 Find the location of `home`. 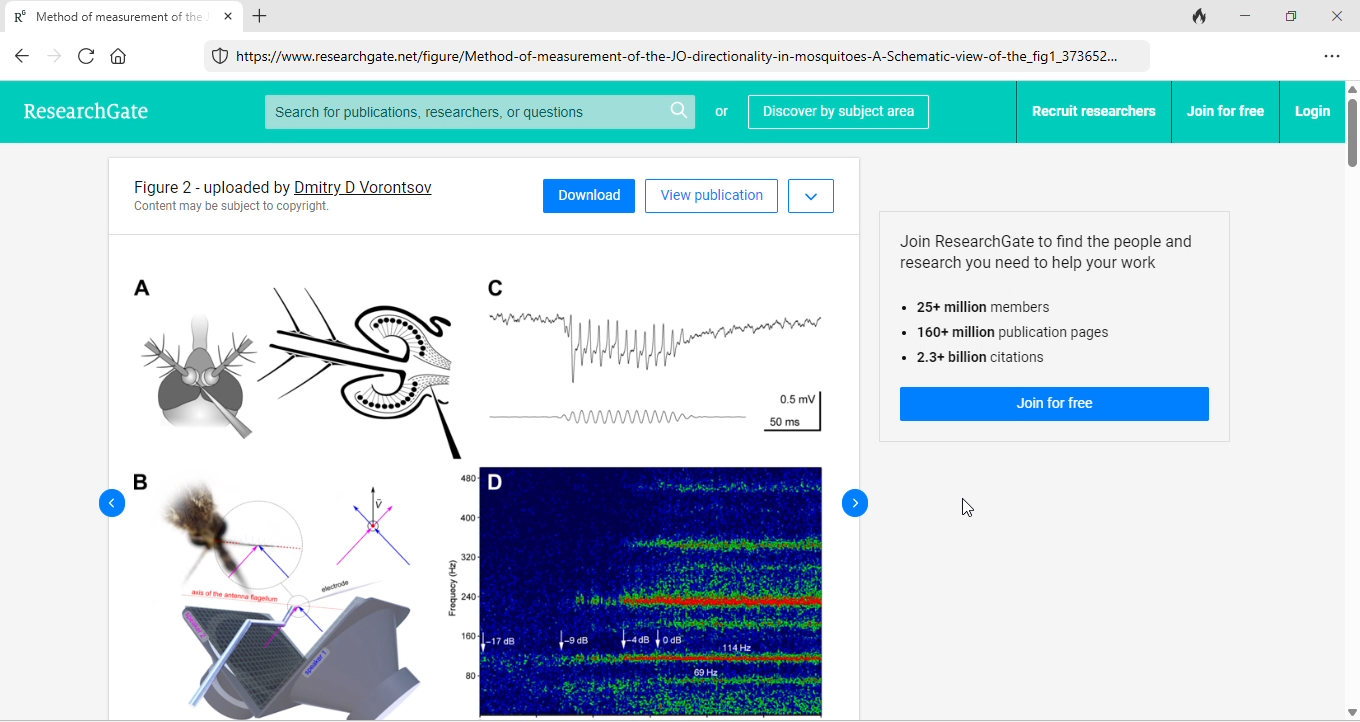

home is located at coordinates (124, 59).